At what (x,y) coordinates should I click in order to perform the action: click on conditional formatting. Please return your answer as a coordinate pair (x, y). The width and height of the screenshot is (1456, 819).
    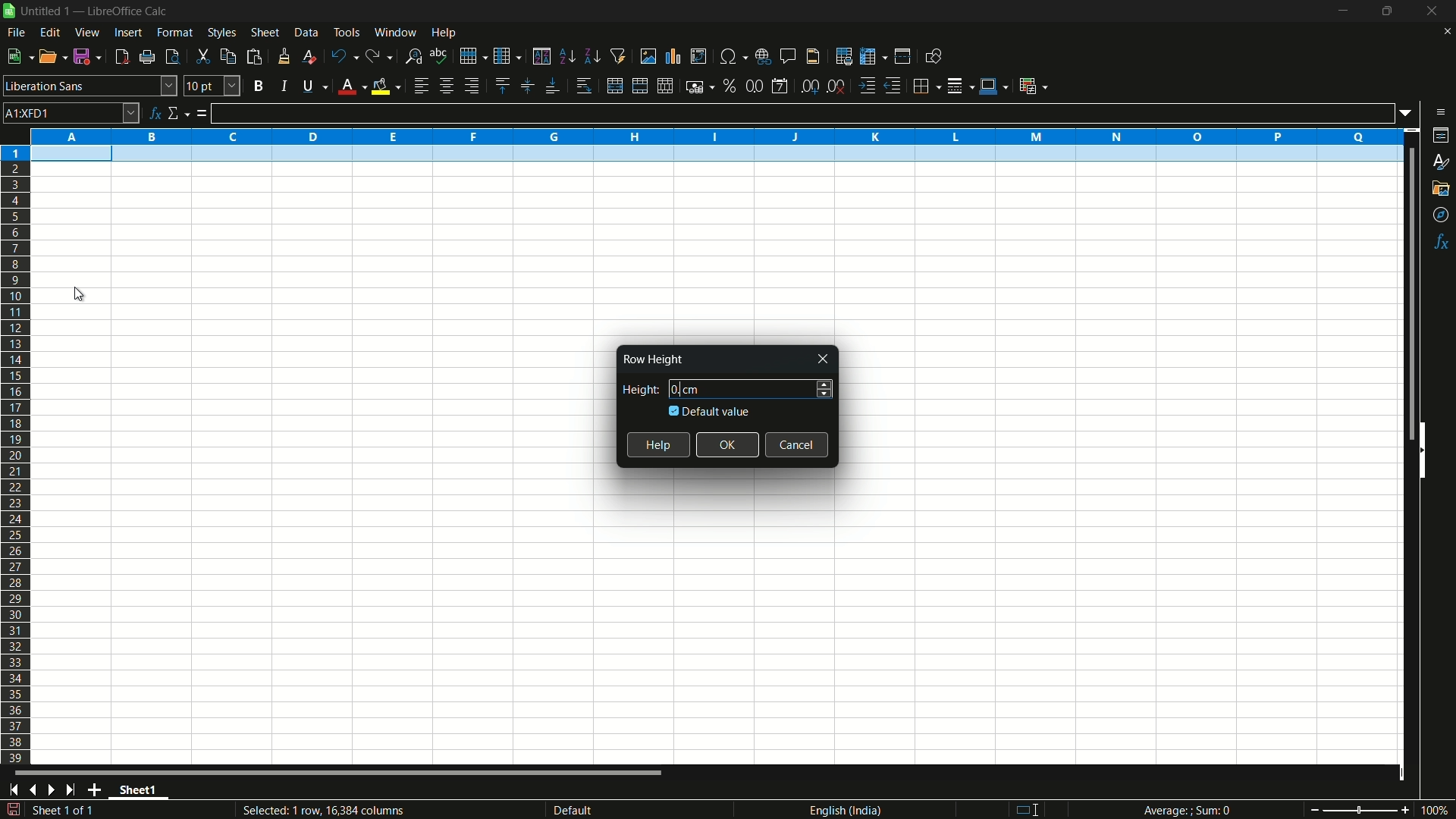
    Looking at the image, I should click on (1032, 86).